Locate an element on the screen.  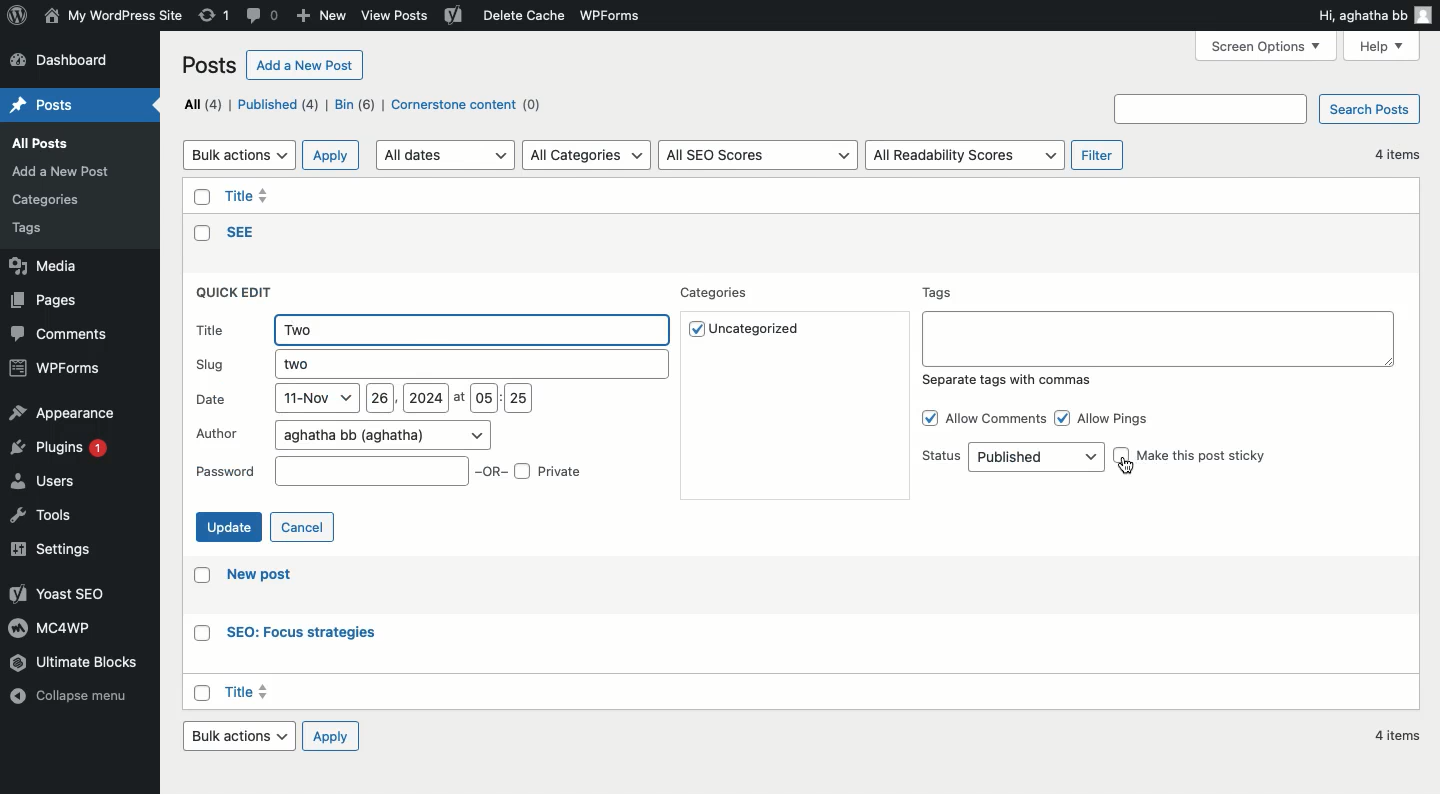
Published is located at coordinates (282, 106).